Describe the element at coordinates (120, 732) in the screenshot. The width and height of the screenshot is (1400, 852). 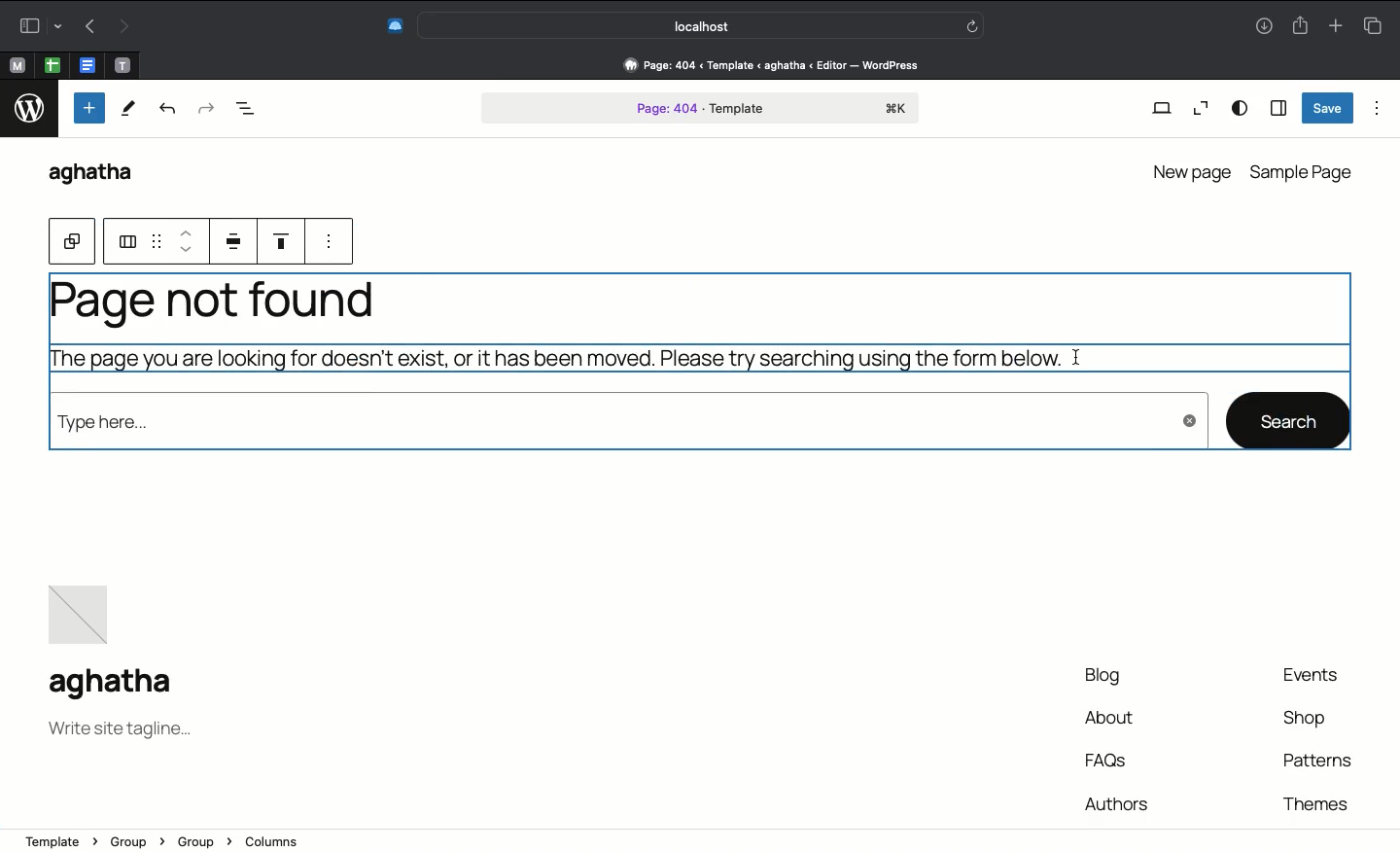
I see `Tagline` at that location.